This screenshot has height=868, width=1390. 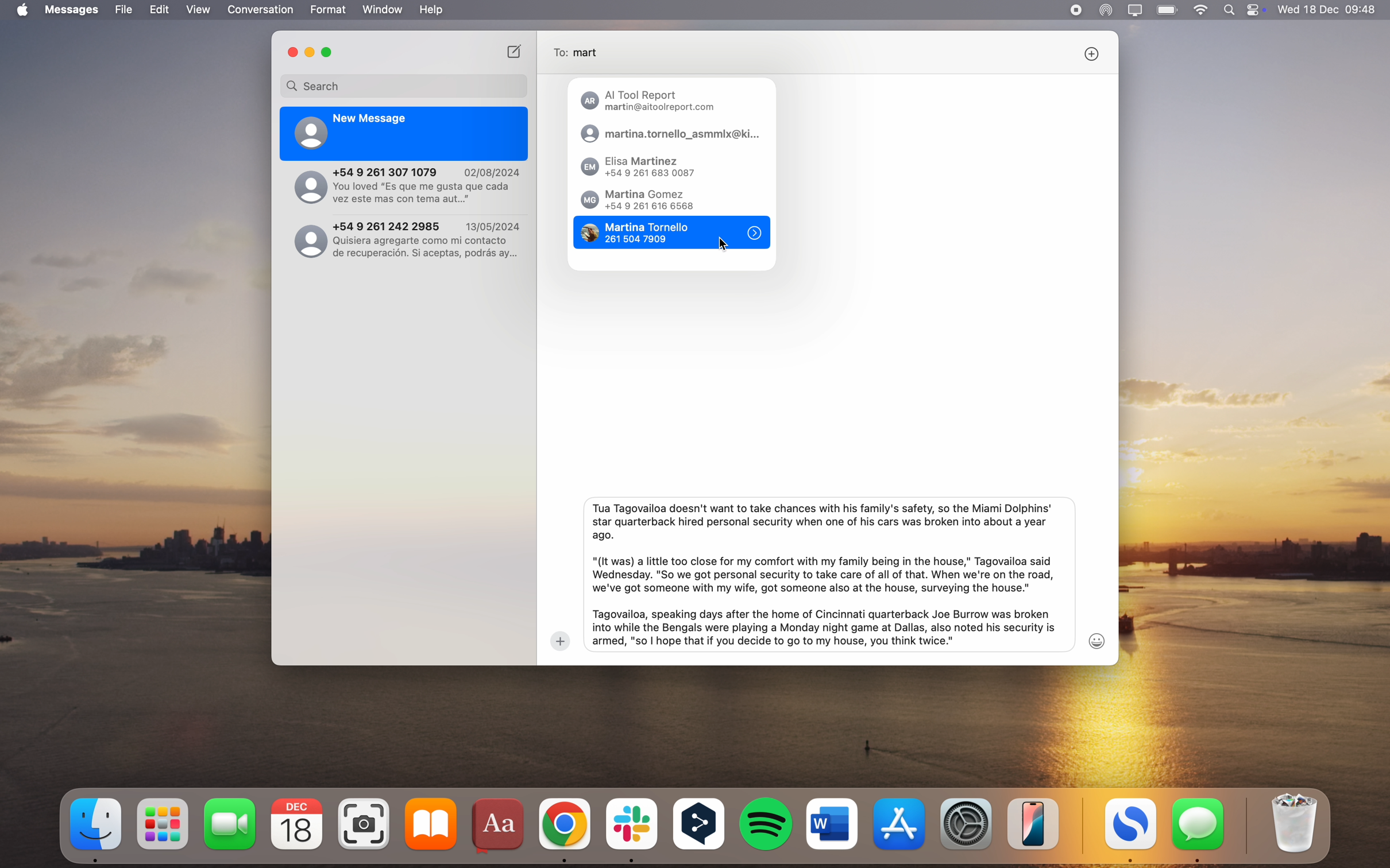 I want to click on martina gomez, so click(x=638, y=200).